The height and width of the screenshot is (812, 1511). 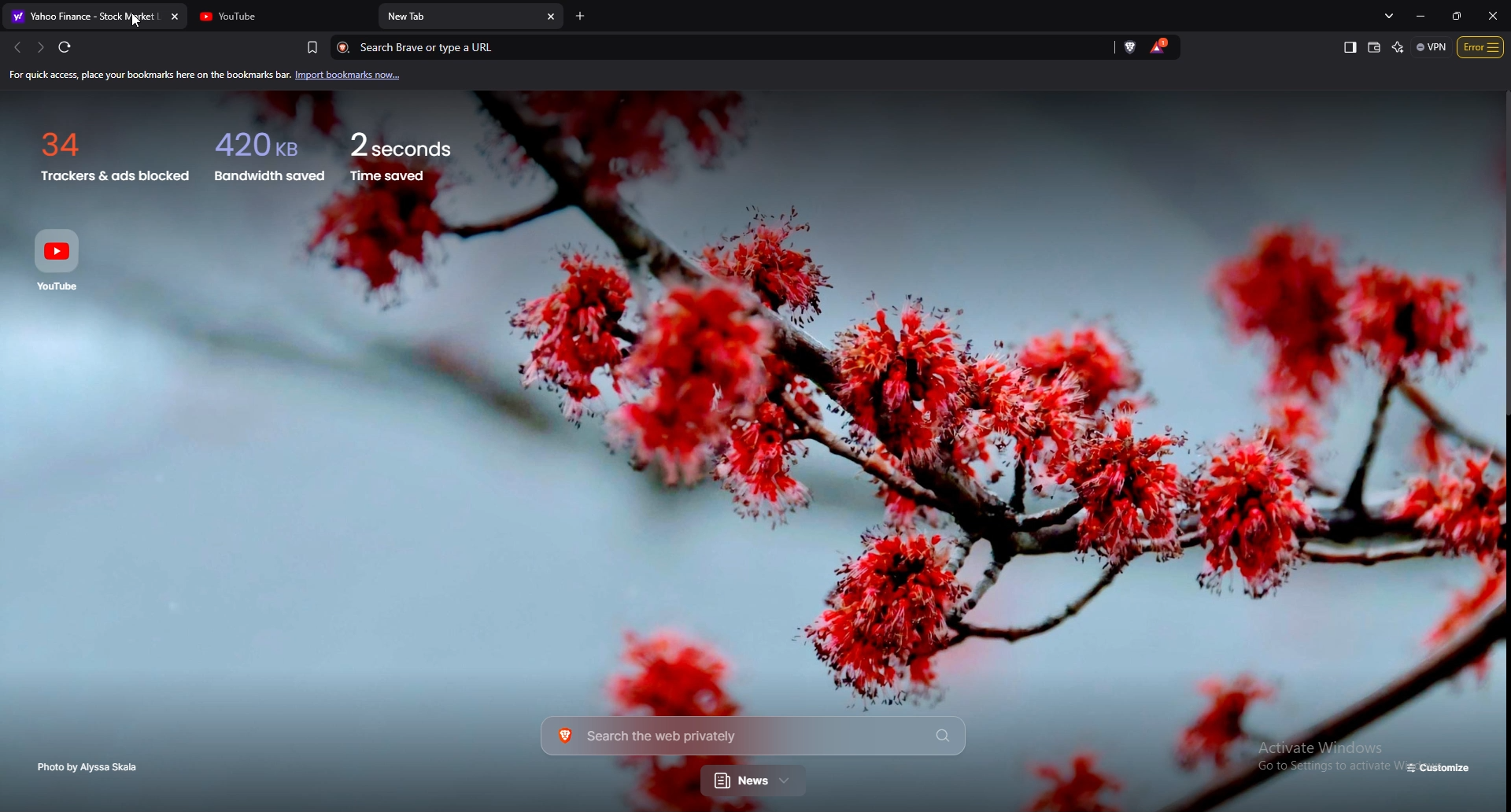 I want to click on close tab, so click(x=552, y=17).